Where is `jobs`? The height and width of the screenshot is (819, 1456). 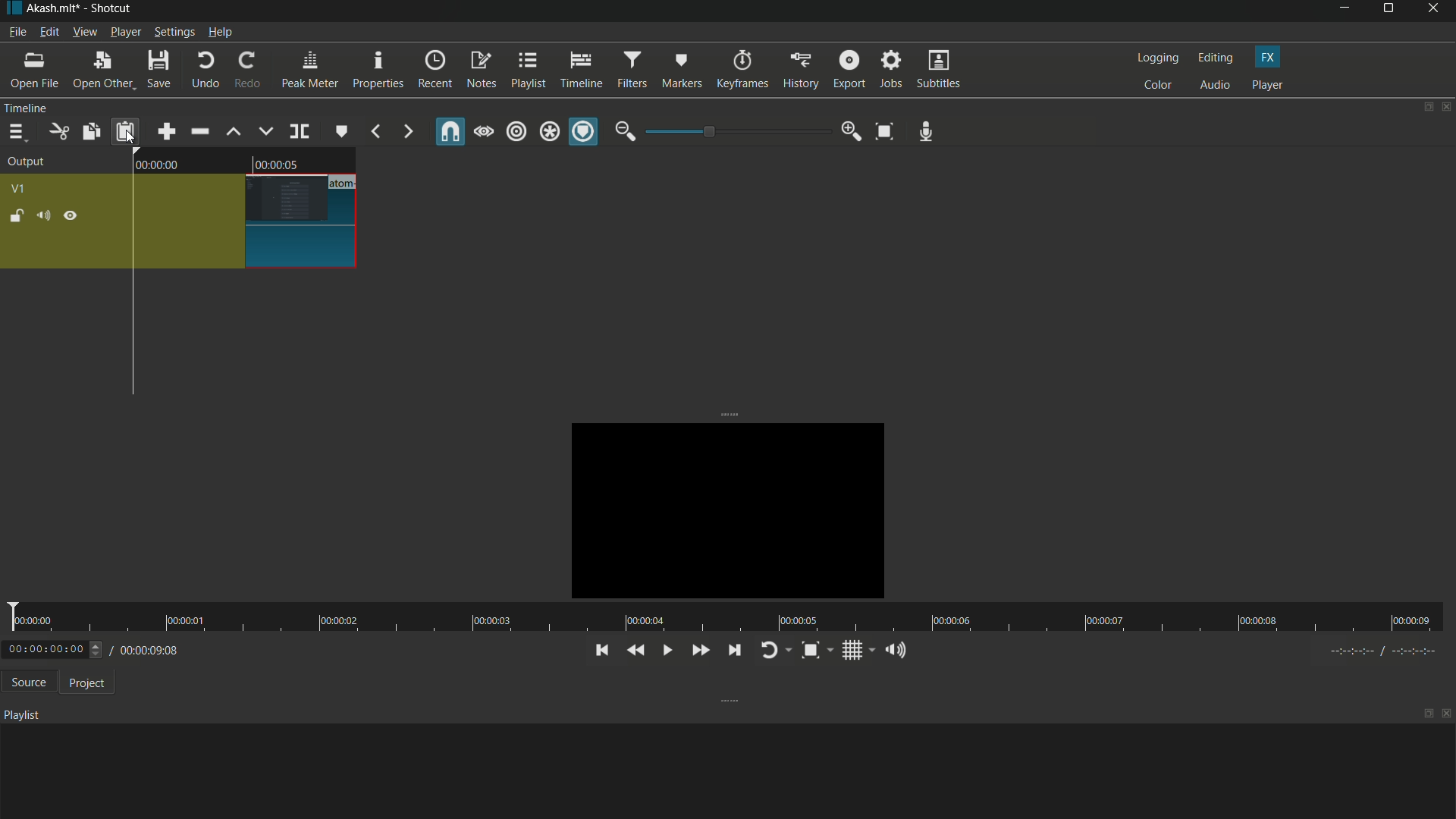 jobs is located at coordinates (891, 71).